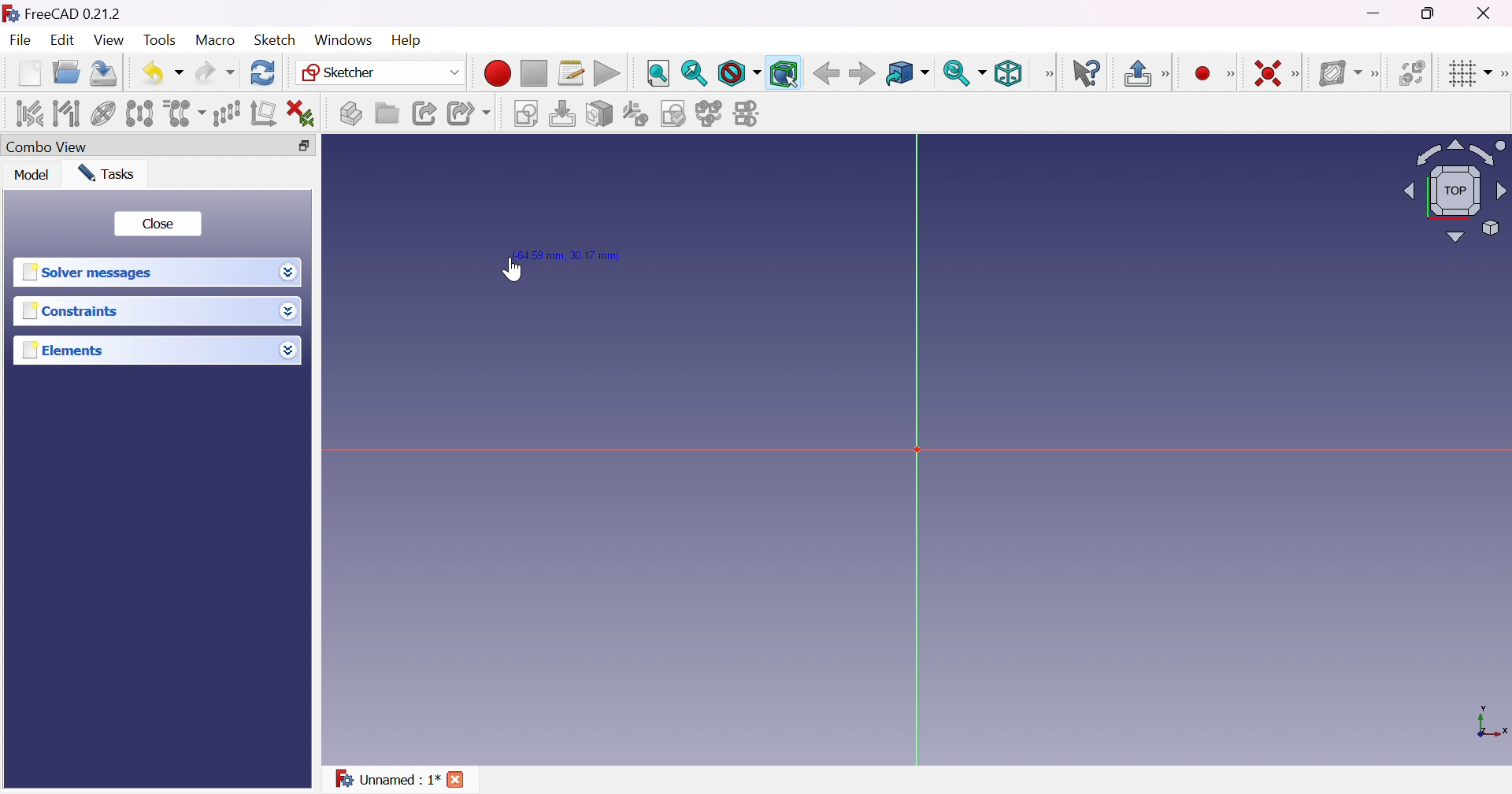 The image size is (1512, 794). Describe the element at coordinates (1486, 14) in the screenshot. I see `Close` at that location.